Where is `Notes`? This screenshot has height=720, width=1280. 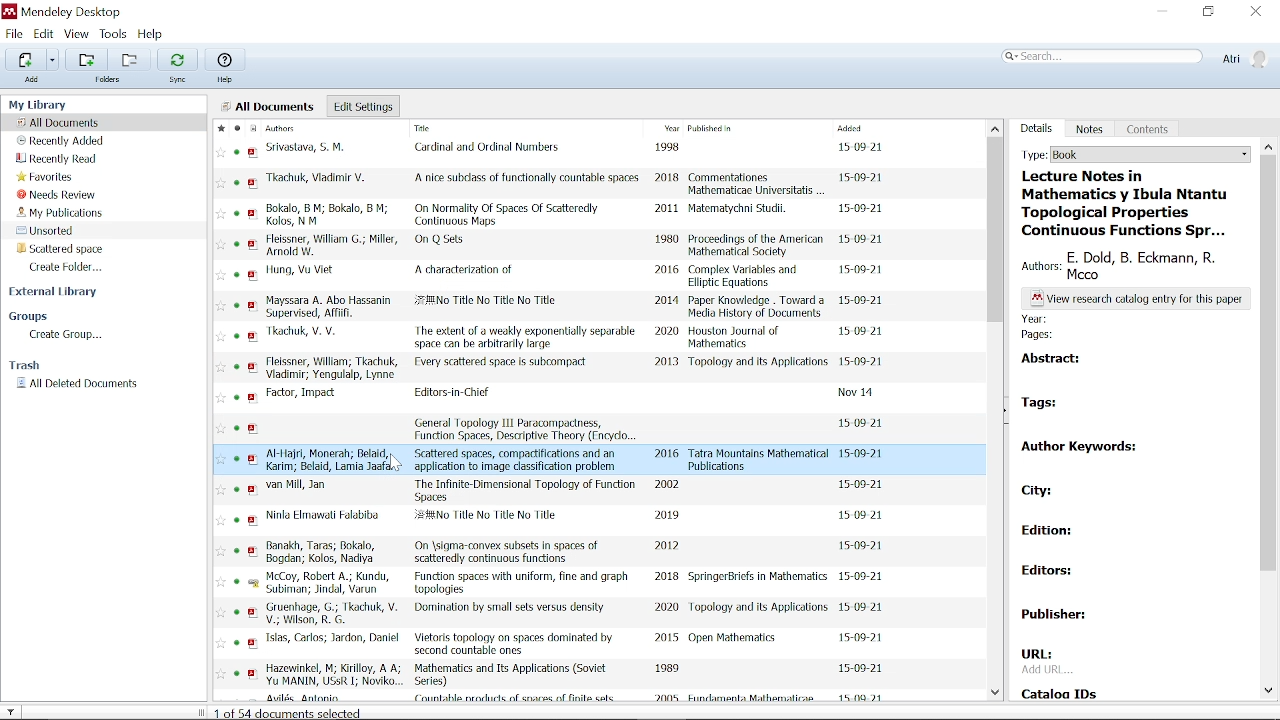 Notes is located at coordinates (1090, 129).